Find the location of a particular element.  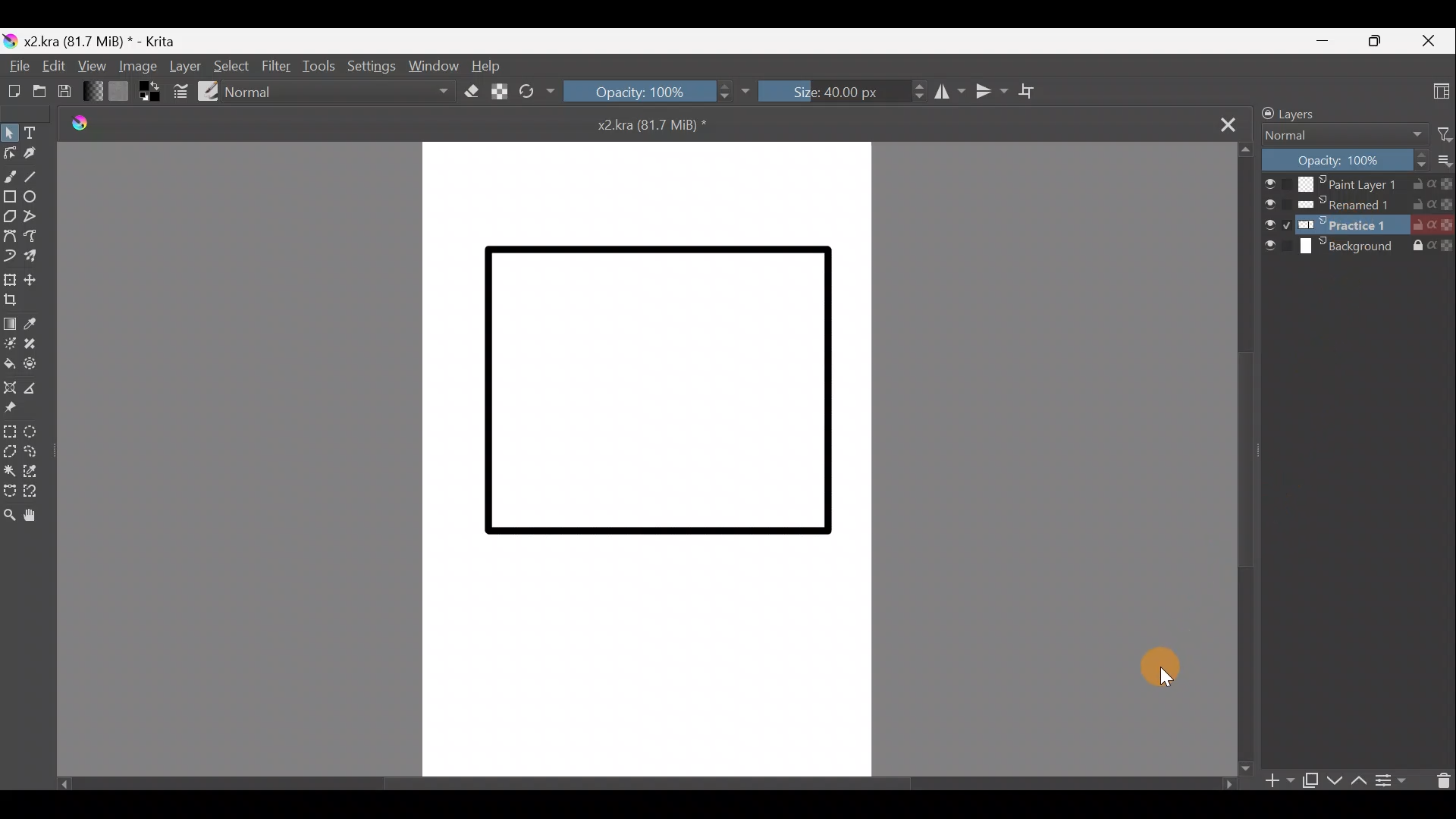

x2.kra (81.7 MiB) * - Krita is located at coordinates (102, 41).